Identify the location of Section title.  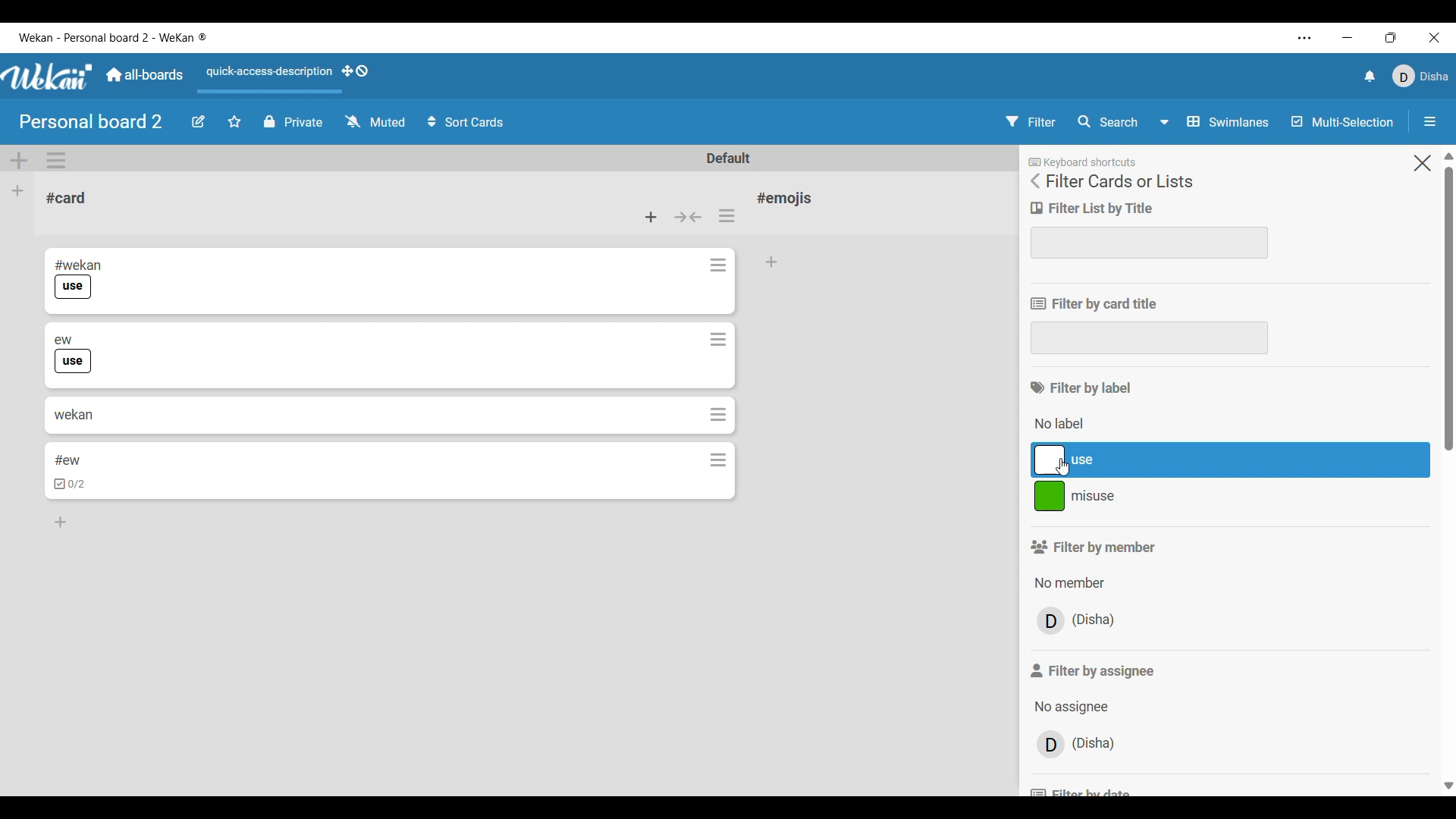
(1093, 547).